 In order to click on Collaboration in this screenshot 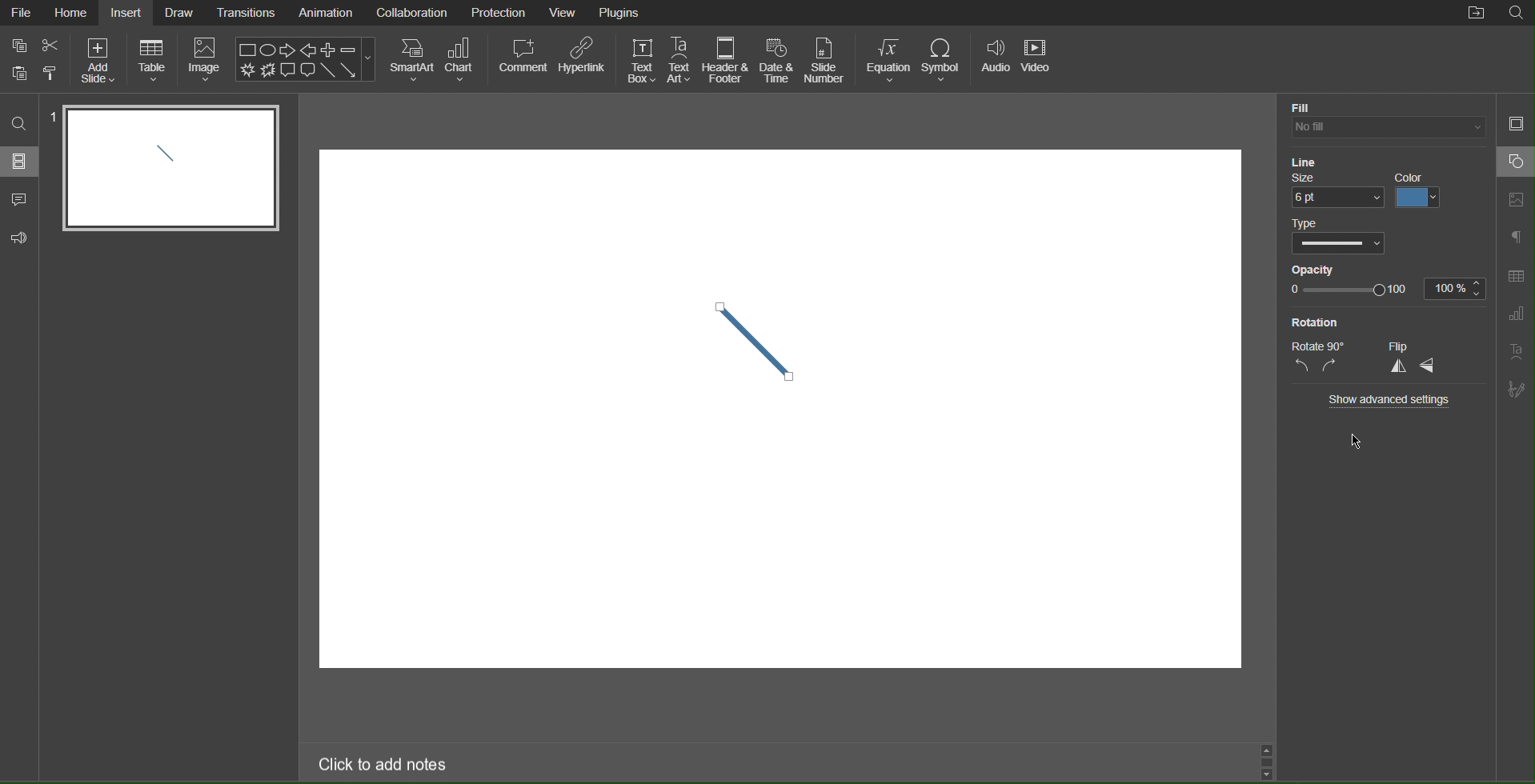, I will do `click(410, 13)`.